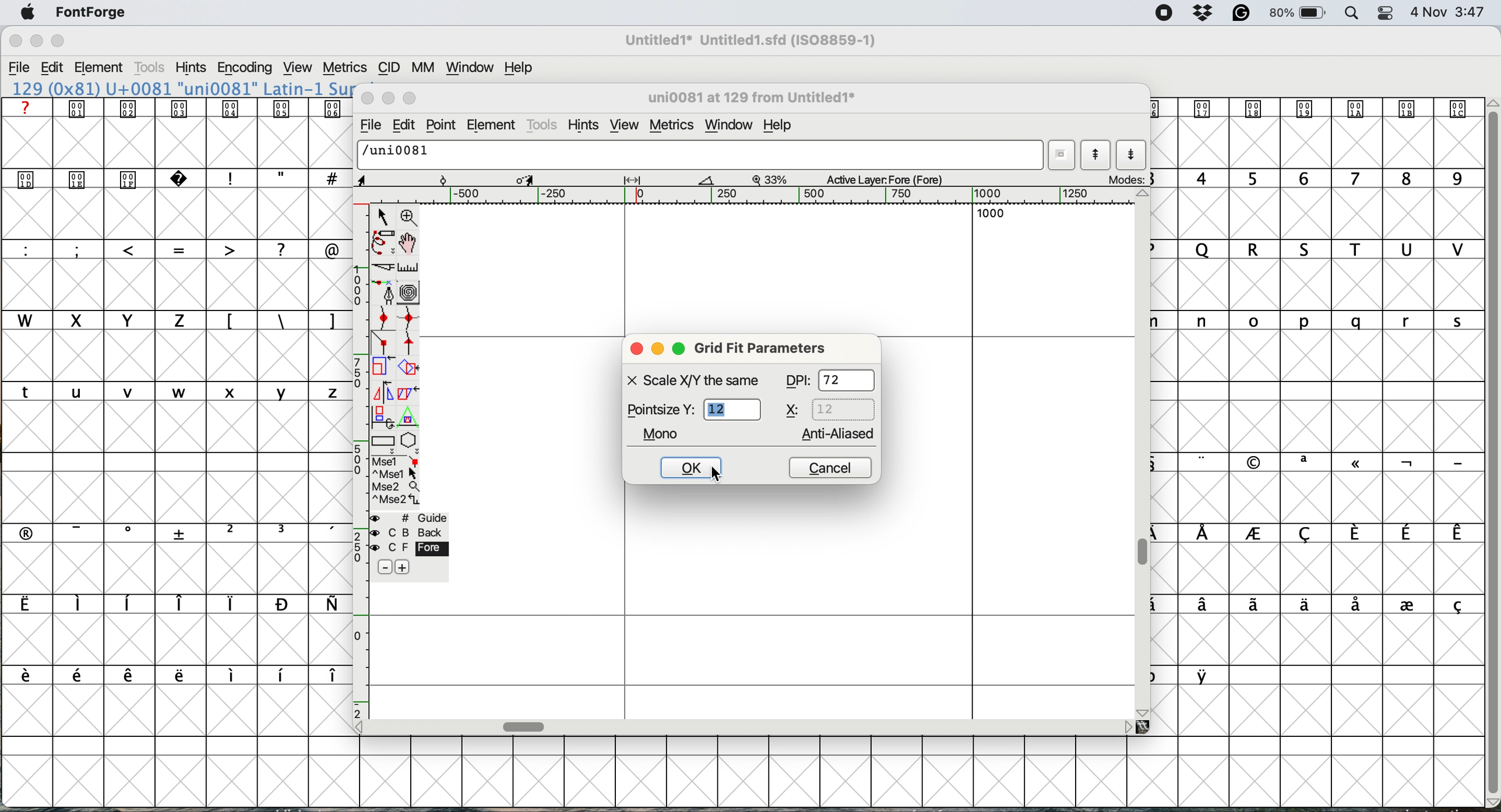 This screenshot has height=812, width=1501. What do you see at coordinates (297, 68) in the screenshot?
I see `View` at bounding box center [297, 68].